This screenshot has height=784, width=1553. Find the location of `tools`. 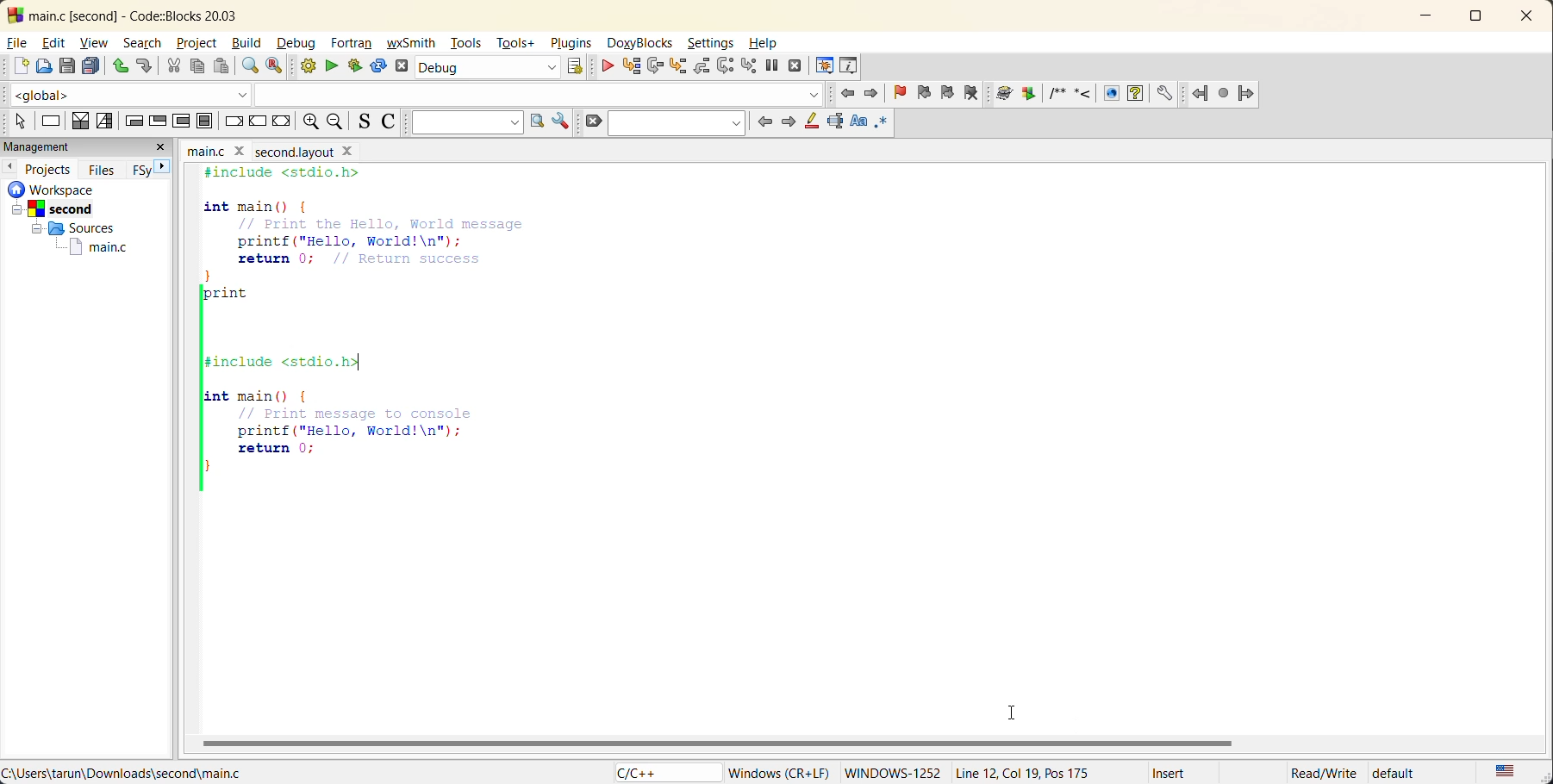

tools is located at coordinates (464, 46).